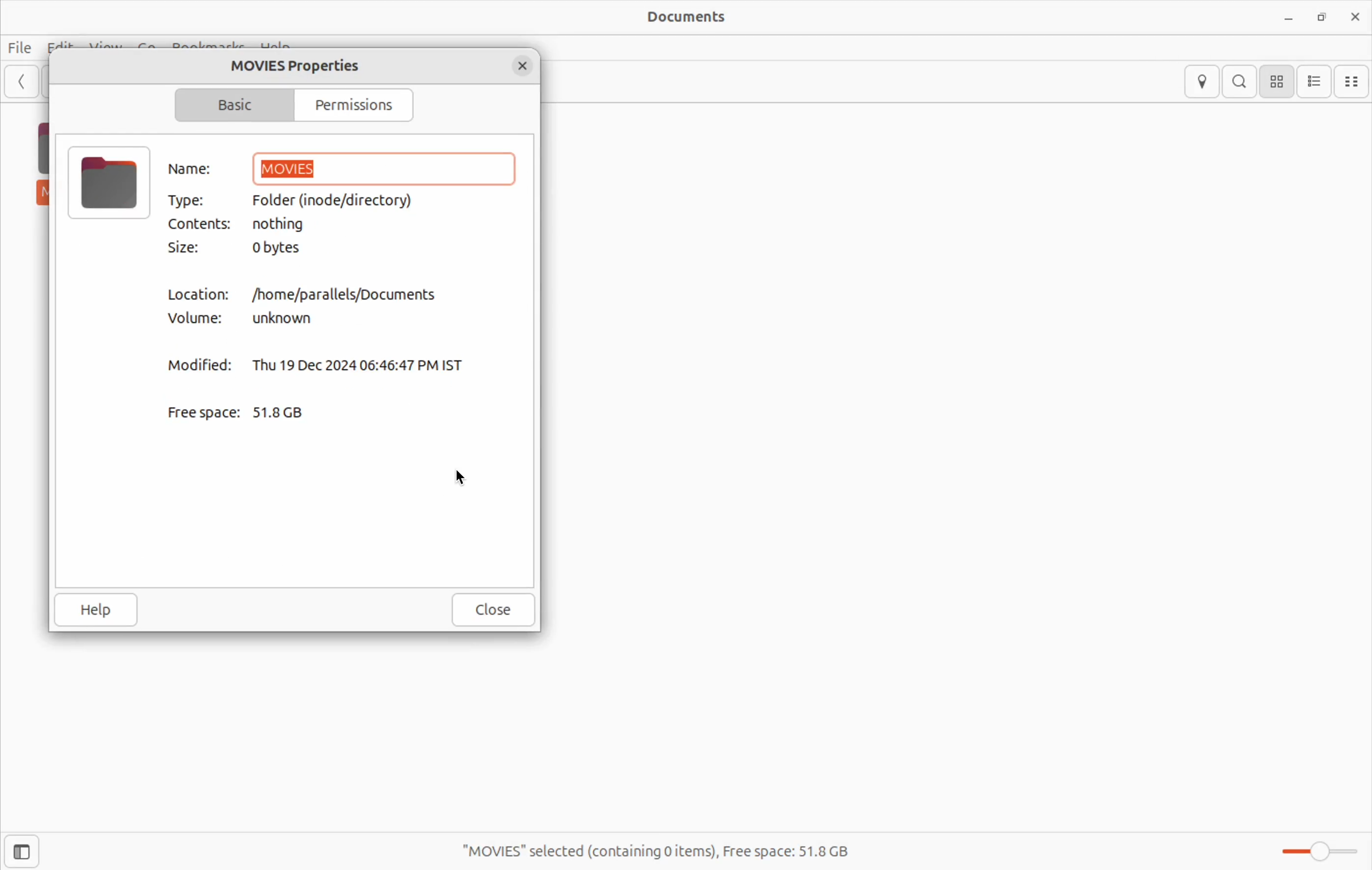 The width and height of the screenshot is (1372, 870). I want to click on location, so click(1201, 82).